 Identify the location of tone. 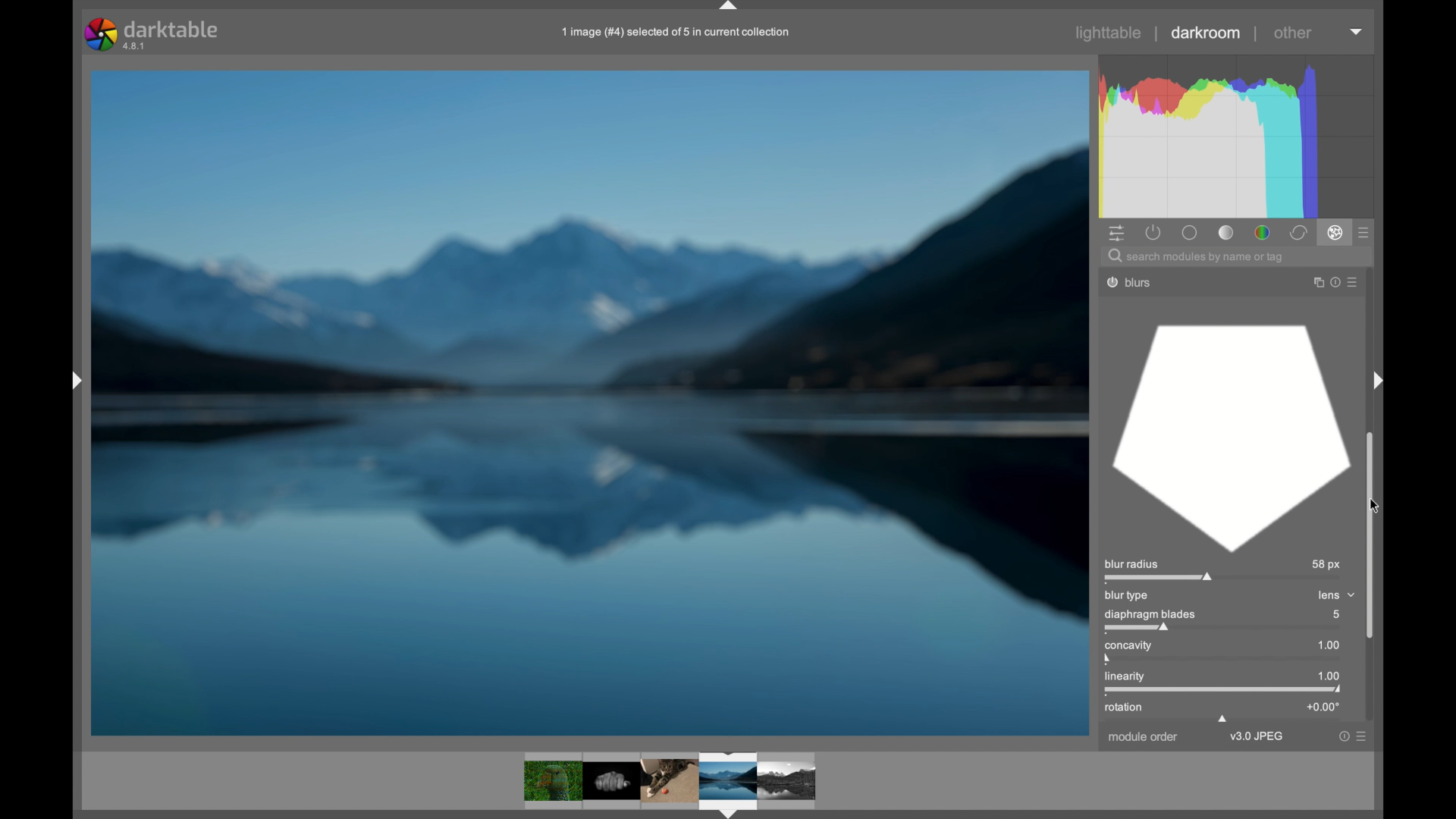
(1225, 232).